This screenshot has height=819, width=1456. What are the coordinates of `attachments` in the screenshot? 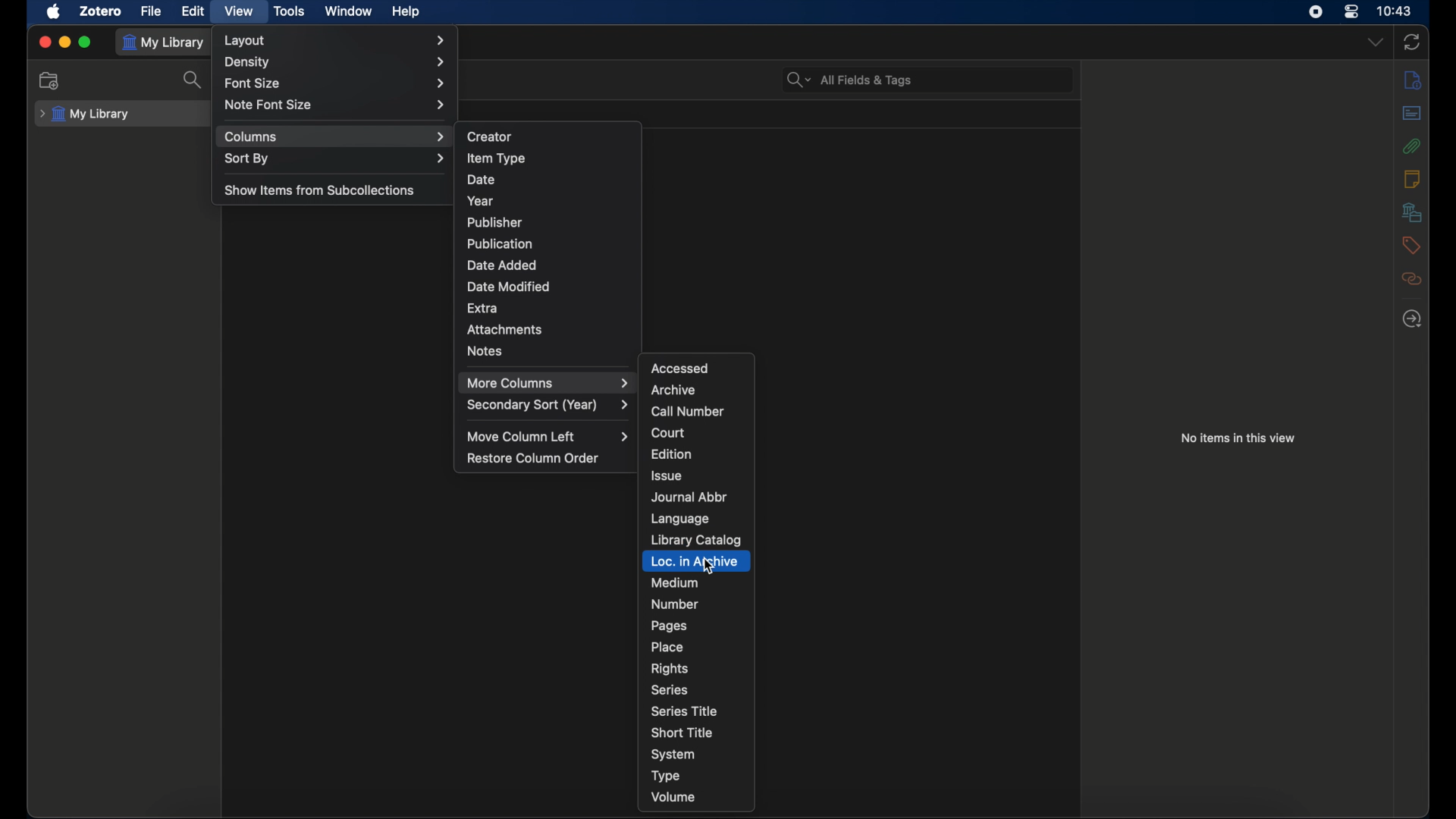 It's located at (1411, 146).